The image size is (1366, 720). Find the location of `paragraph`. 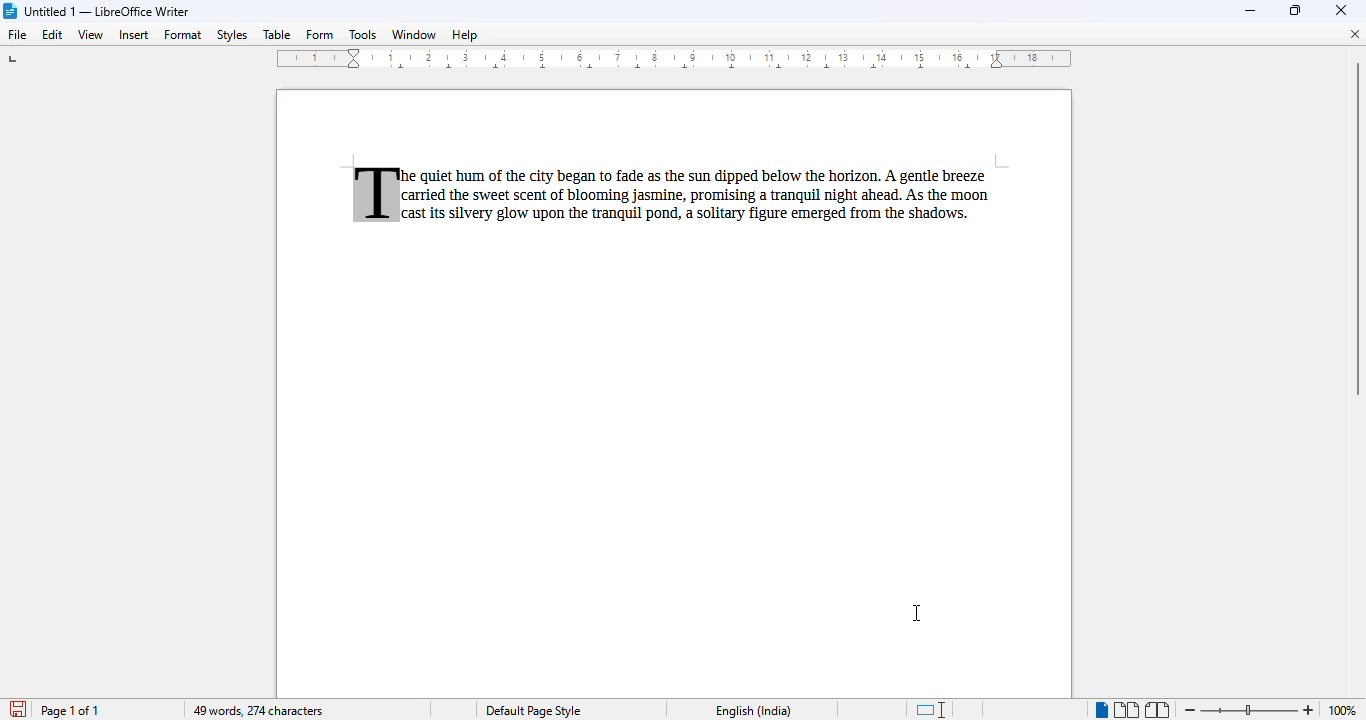

paragraph is located at coordinates (701, 197).